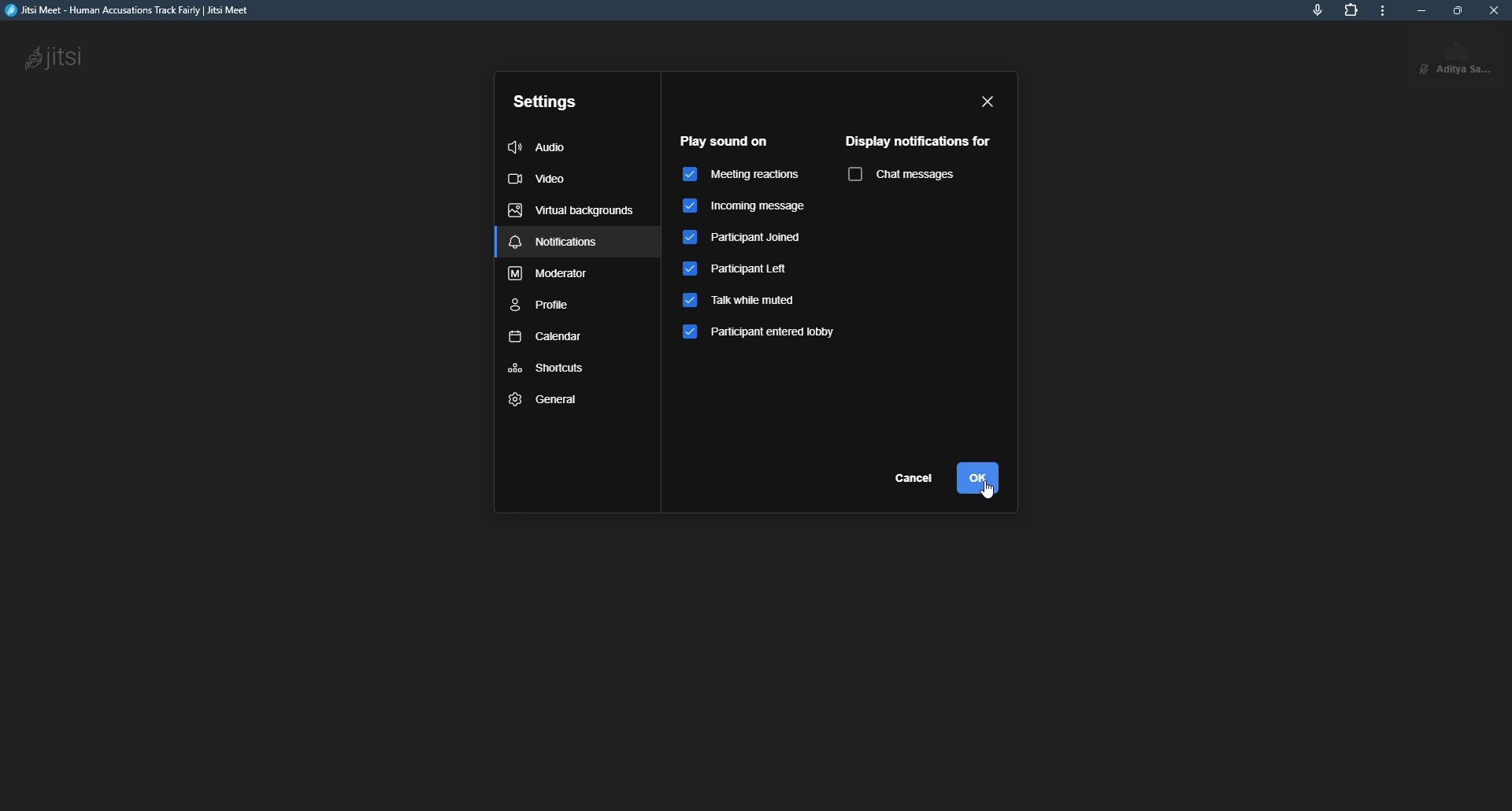 This screenshot has width=1512, height=811. I want to click on participant joined, so click(742, 237).